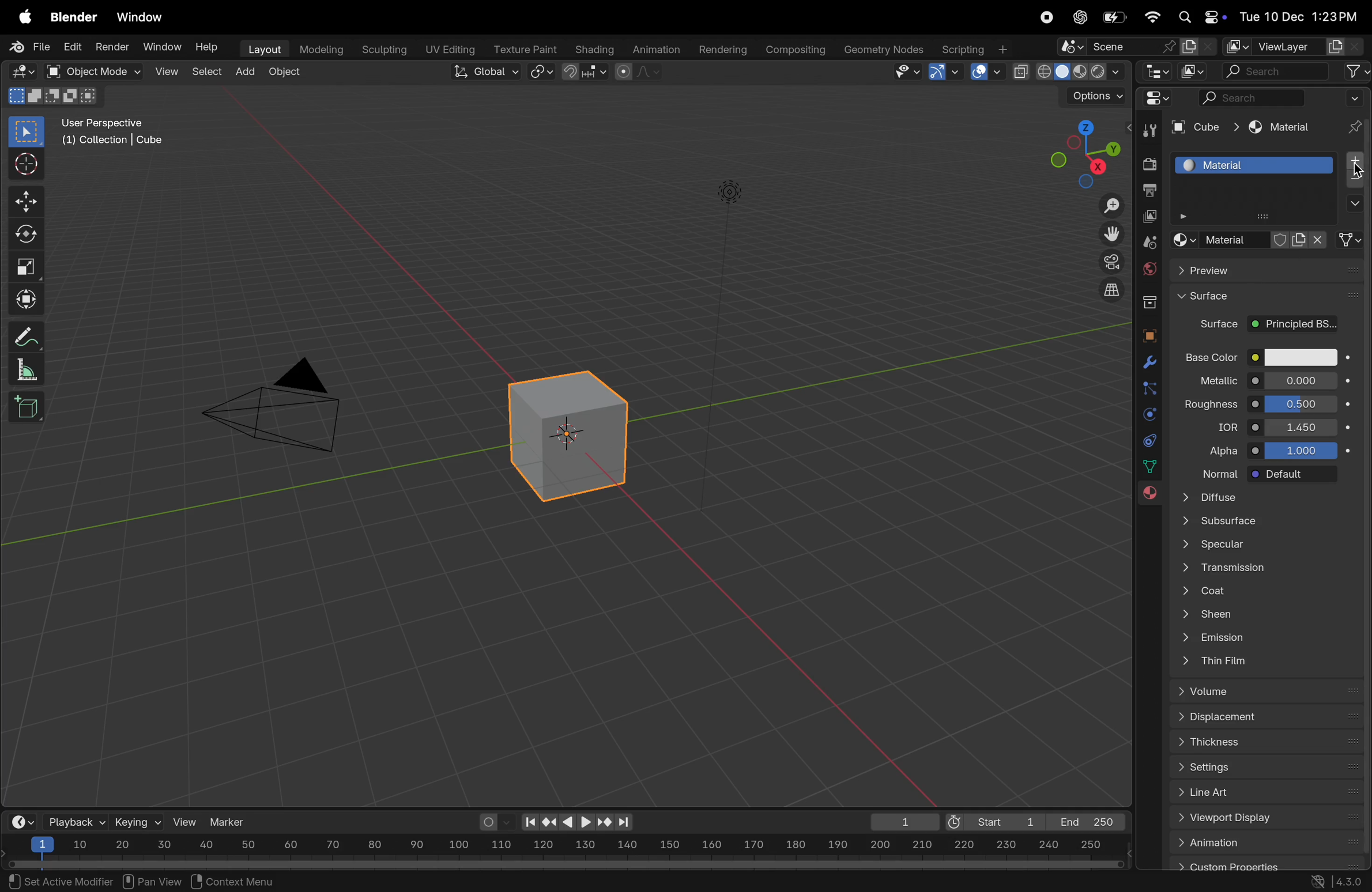  Describe the element at coordinates (20, 821) in the screenshot. I see `time` at that location.